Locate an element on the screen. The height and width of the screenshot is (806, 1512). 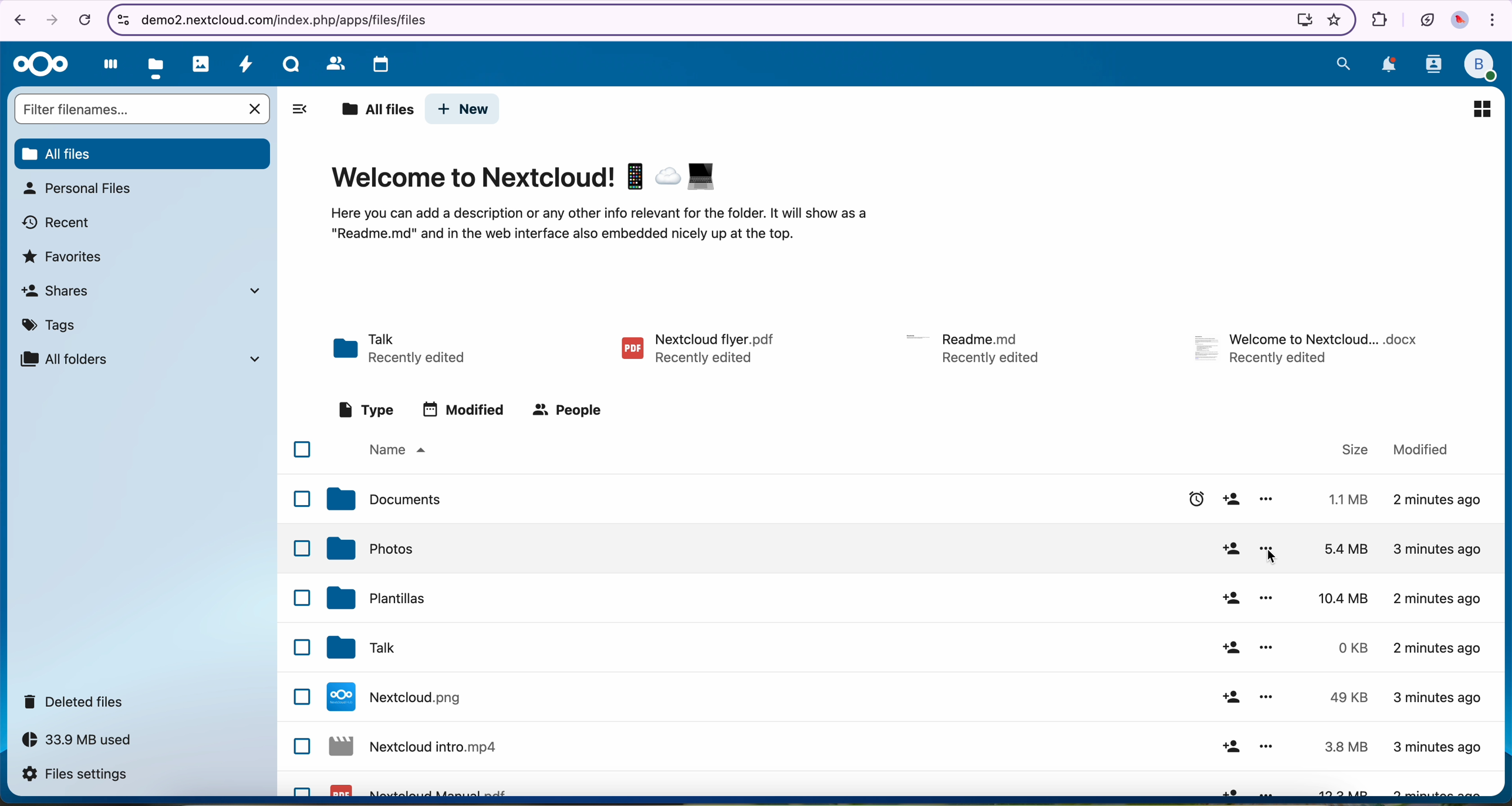
photos is located at coordinates (202, 63).